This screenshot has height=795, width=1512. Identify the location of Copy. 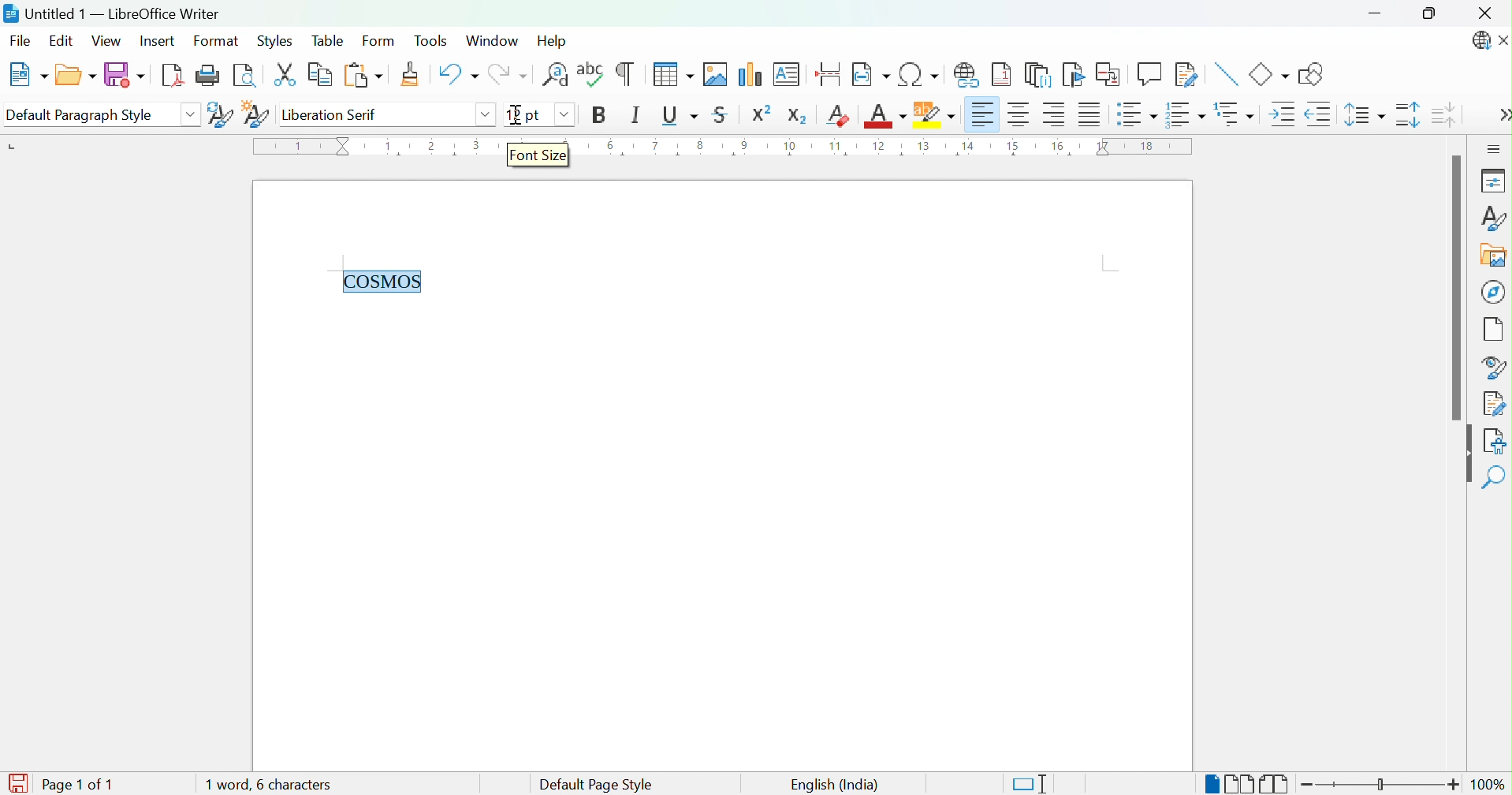
(318, 75).